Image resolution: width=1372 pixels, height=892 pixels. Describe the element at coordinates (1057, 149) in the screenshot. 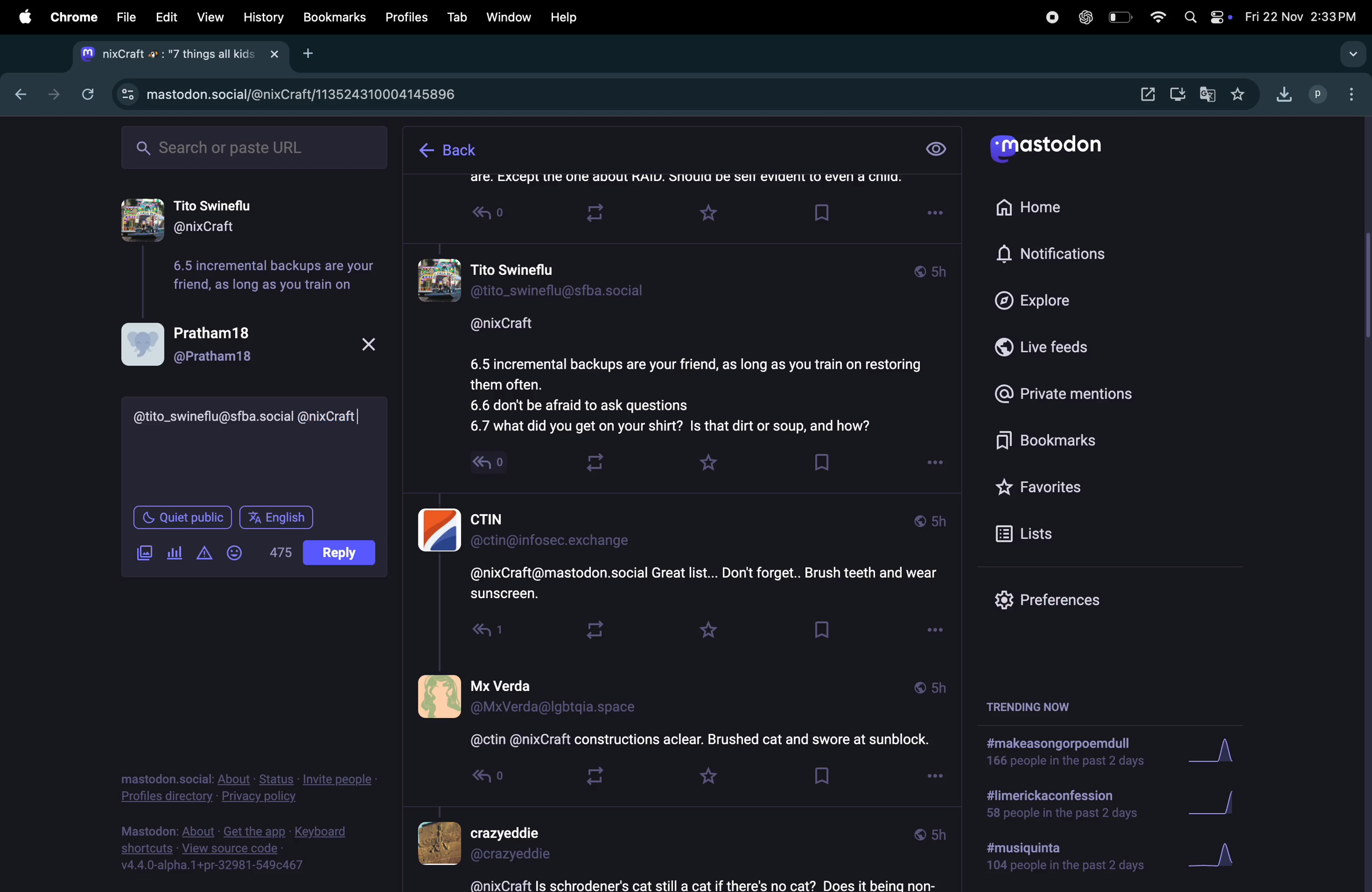

I see `mastodon logo` at that location.